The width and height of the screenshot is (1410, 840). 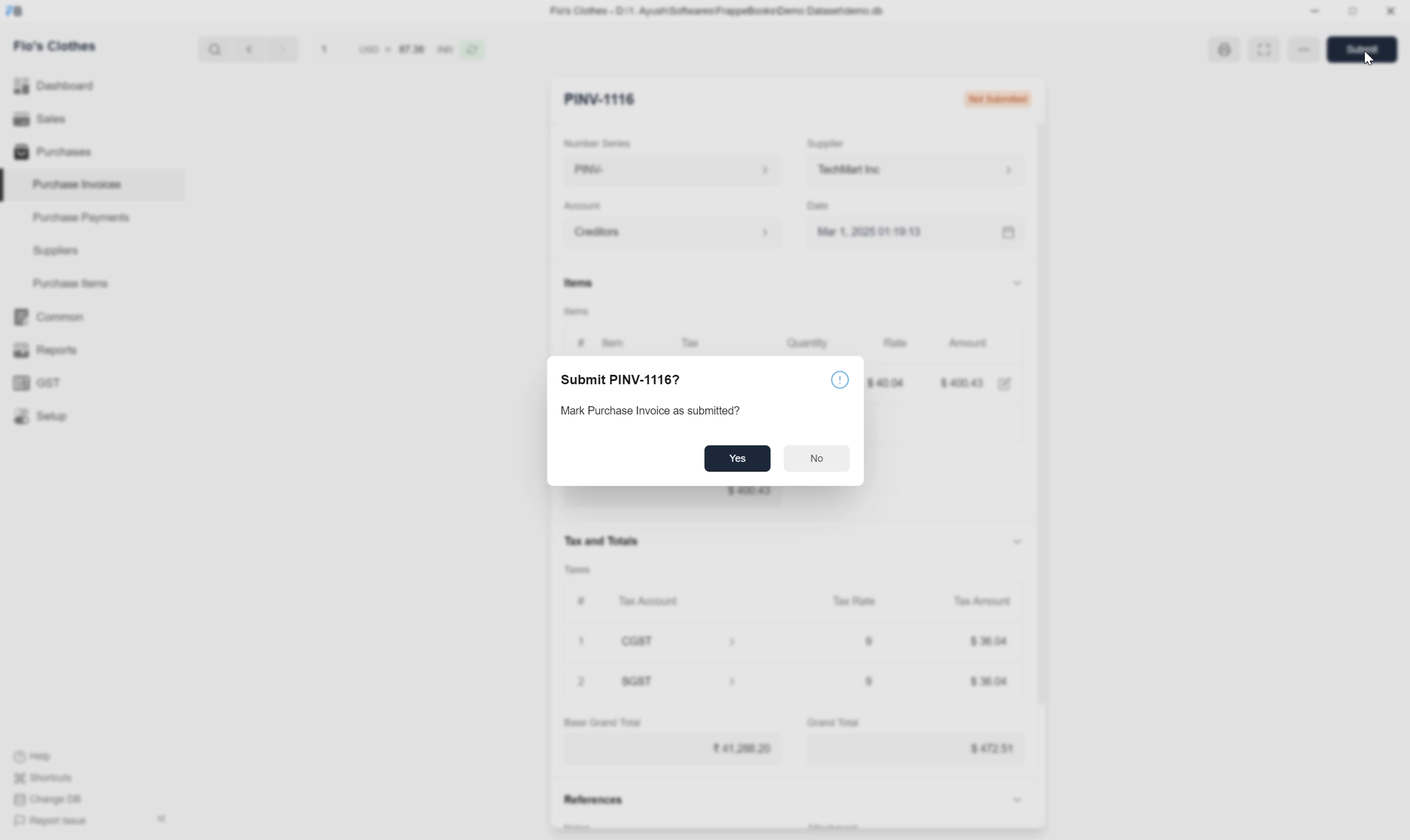 What do you see at coordinates (841, 377) in the screenshot?
I see `icon` at bounding box center [841, 377].